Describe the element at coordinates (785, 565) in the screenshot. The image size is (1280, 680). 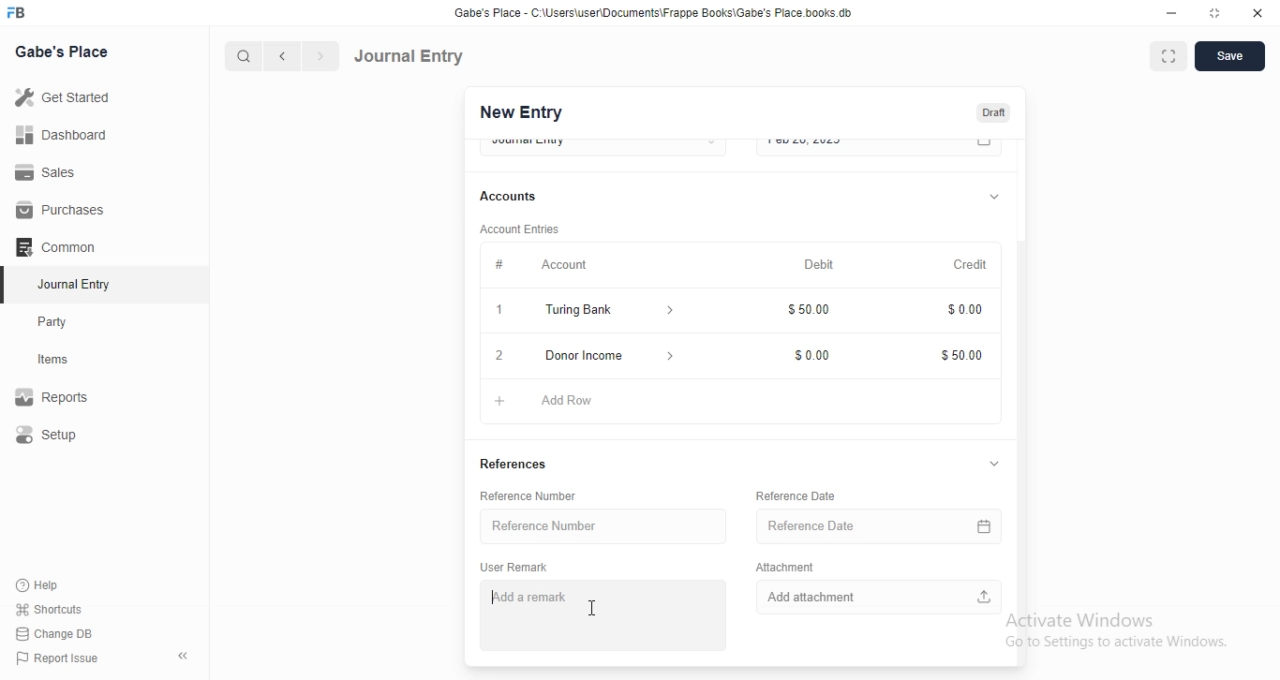
I see `Attachment` at that location.